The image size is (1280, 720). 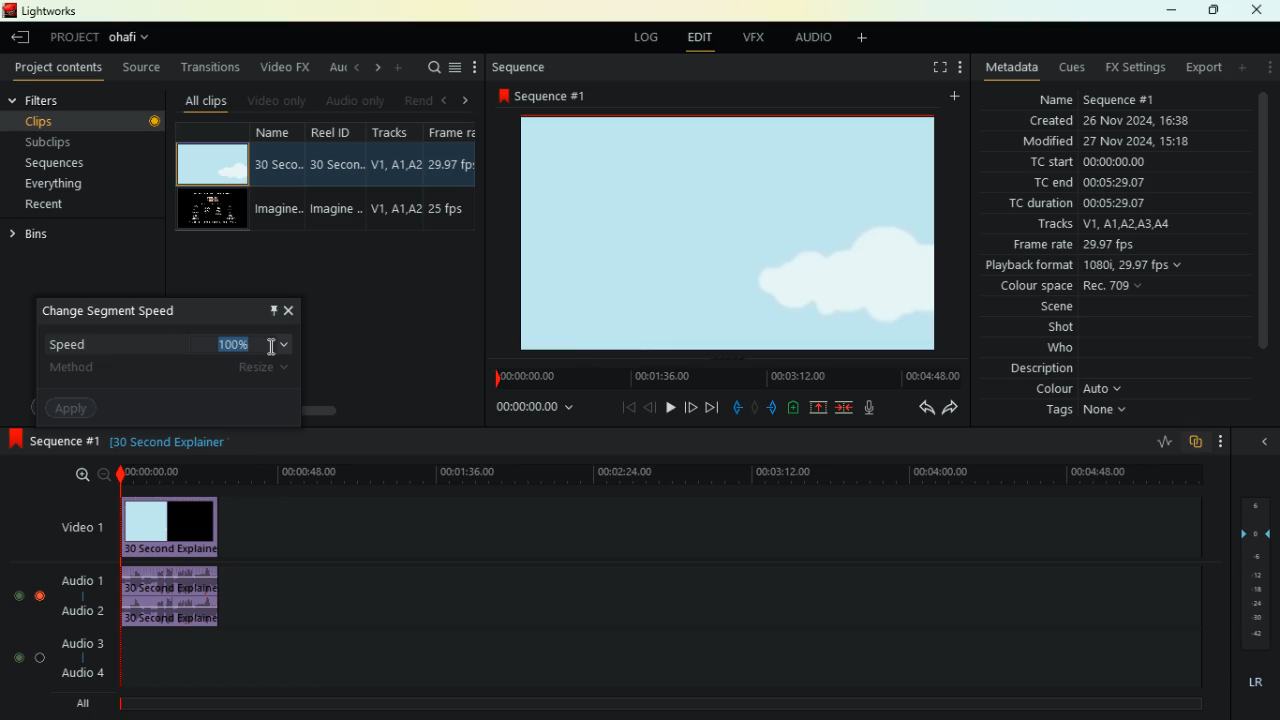 What do you see at coordinates (650, 407) in the screenshot?
I see `back` at bounding box center [650, 407].